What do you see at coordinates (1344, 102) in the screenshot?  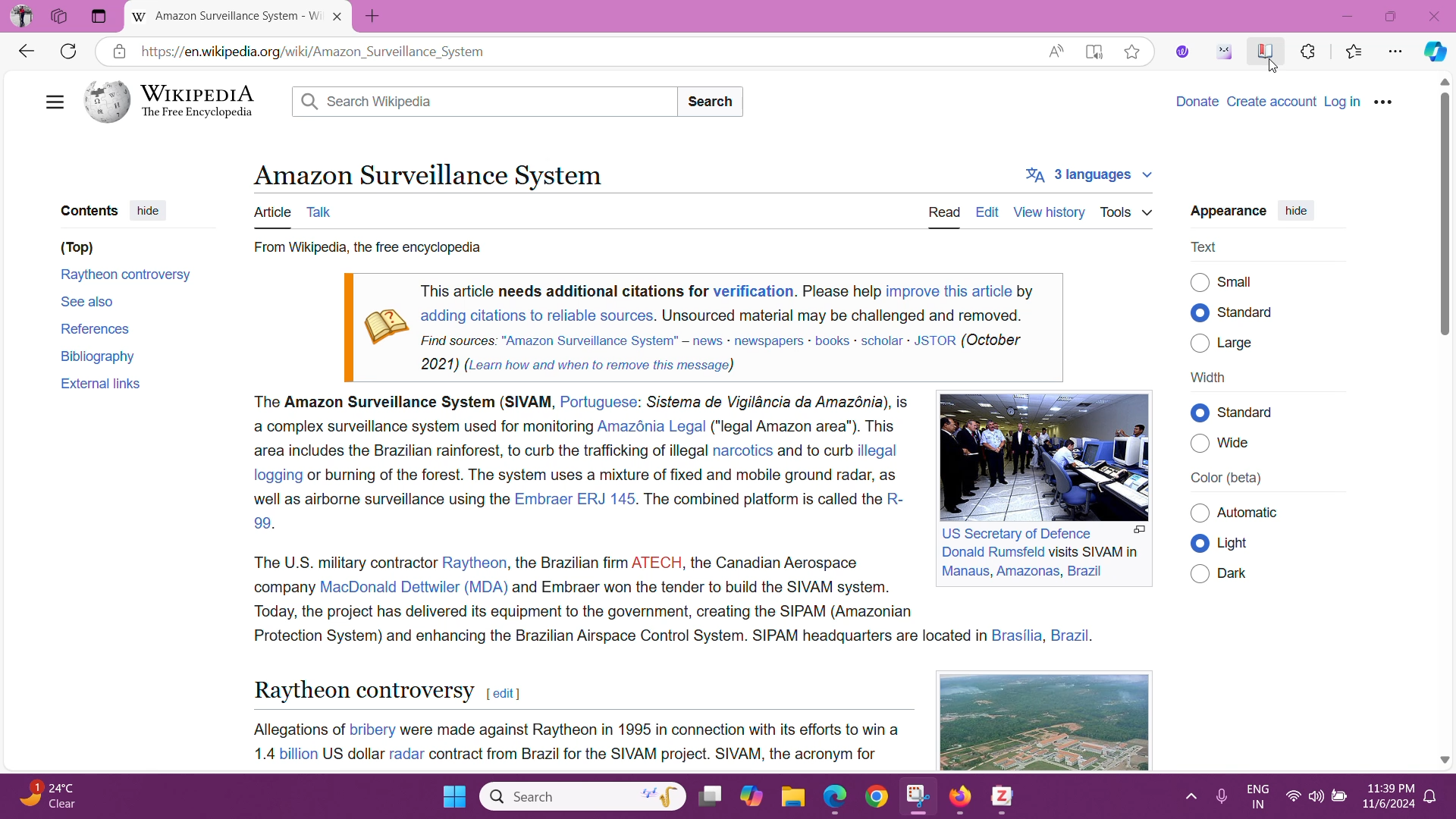 I see `Log In` at bounding box center [1344, 102].